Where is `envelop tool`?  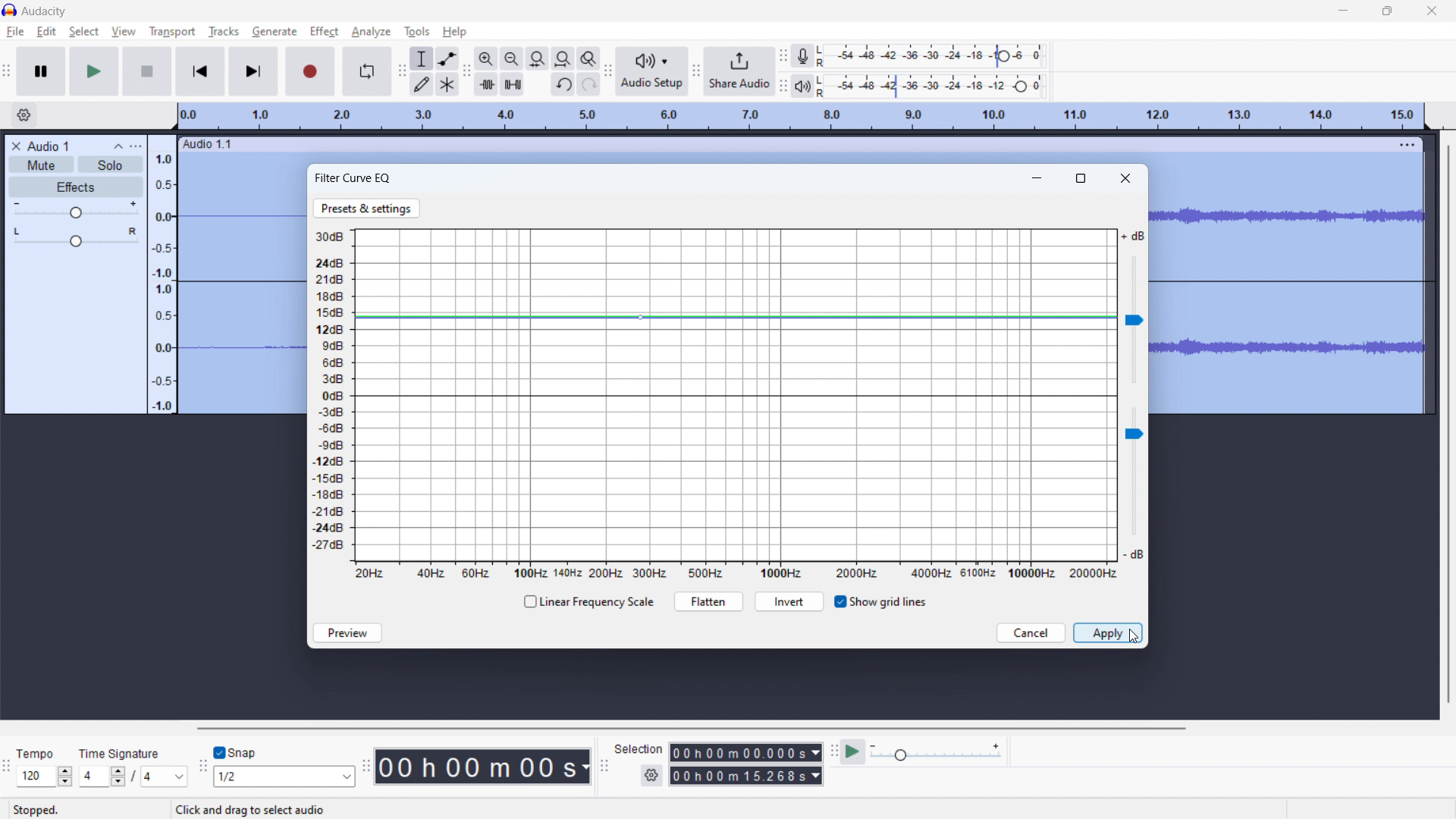 envelop tool is located at coordinates (447, 58).